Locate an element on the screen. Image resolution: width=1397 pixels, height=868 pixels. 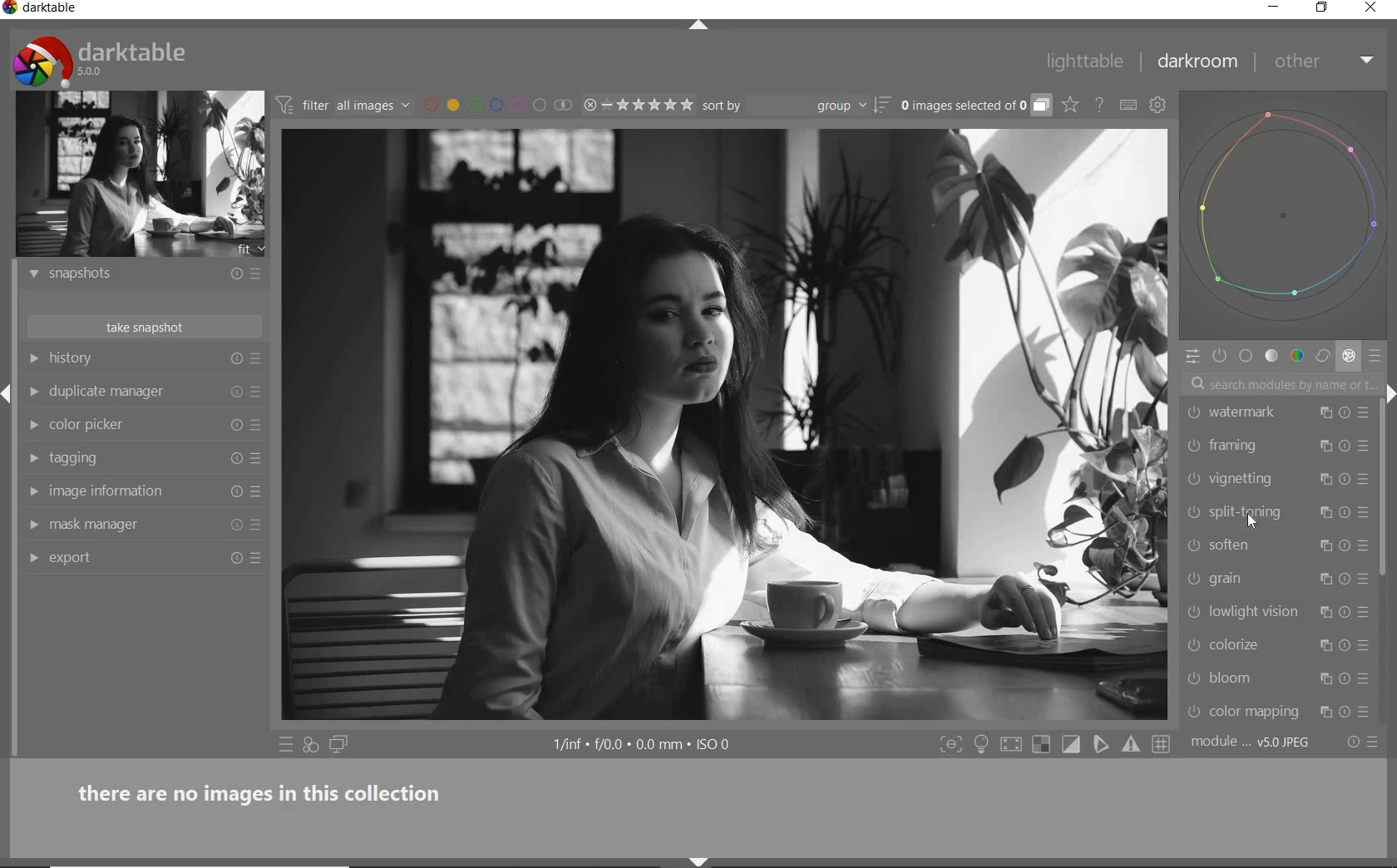
show module is located at coordinates (32, 358).